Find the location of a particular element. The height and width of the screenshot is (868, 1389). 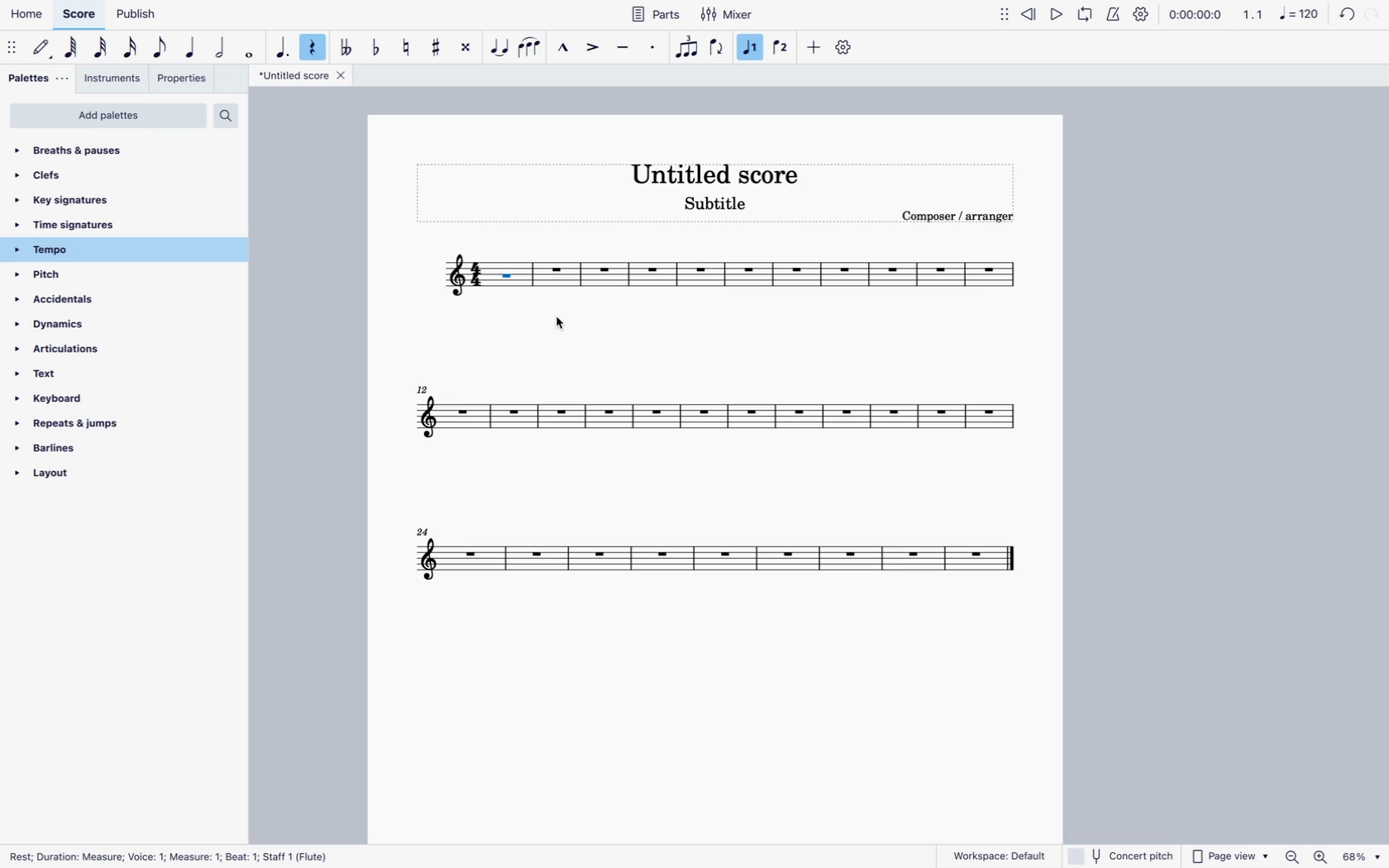

staccato is located at coordinates (653, 48).